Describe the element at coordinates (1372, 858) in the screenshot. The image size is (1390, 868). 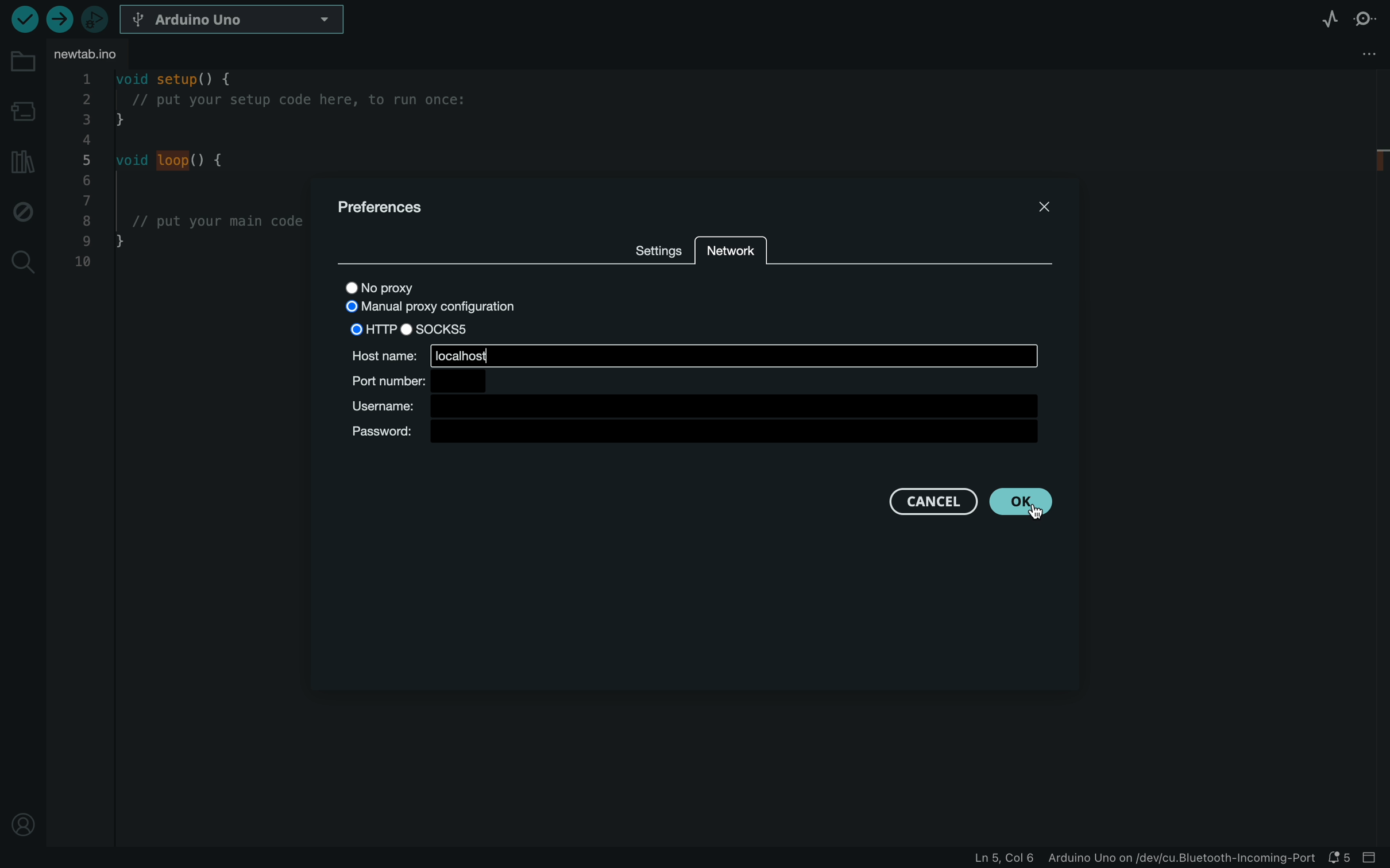
I see `close slide bar` at that location.